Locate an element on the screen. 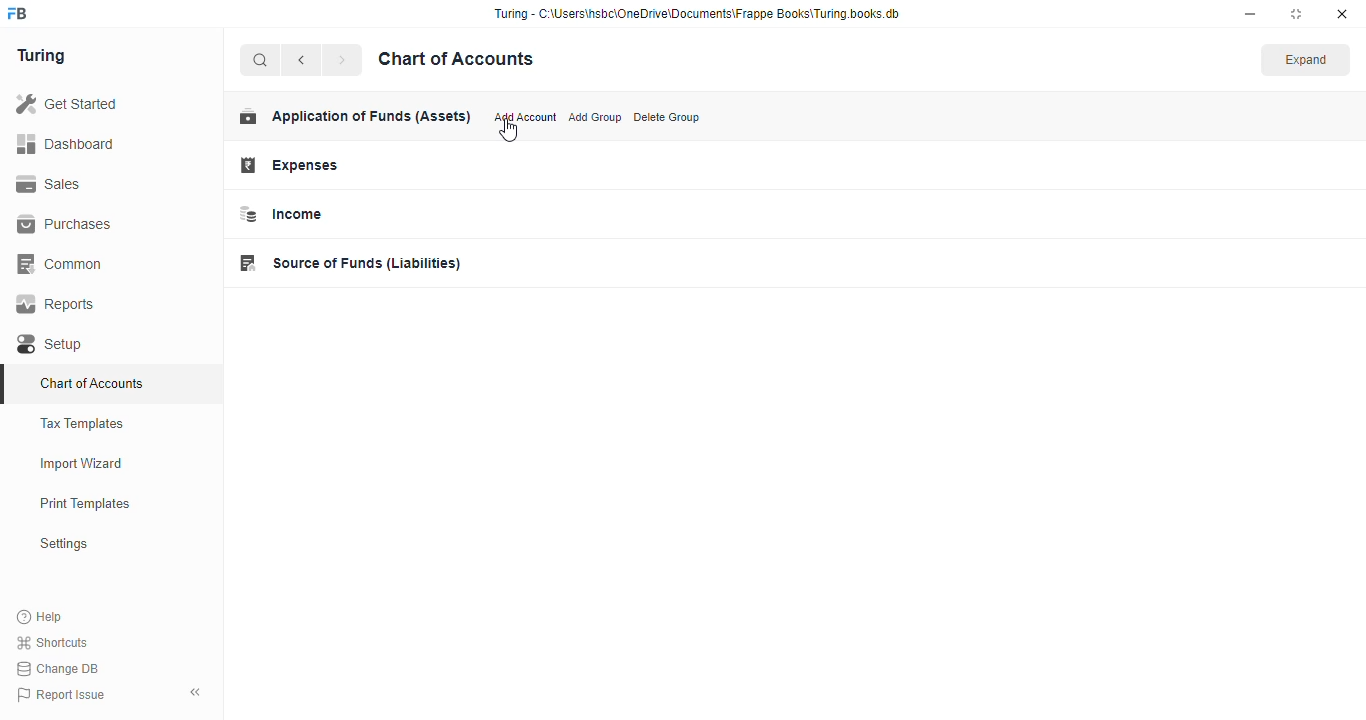 The width and height of the screenshot is (1366, 720). cursor is located at coordinates (509, 131).